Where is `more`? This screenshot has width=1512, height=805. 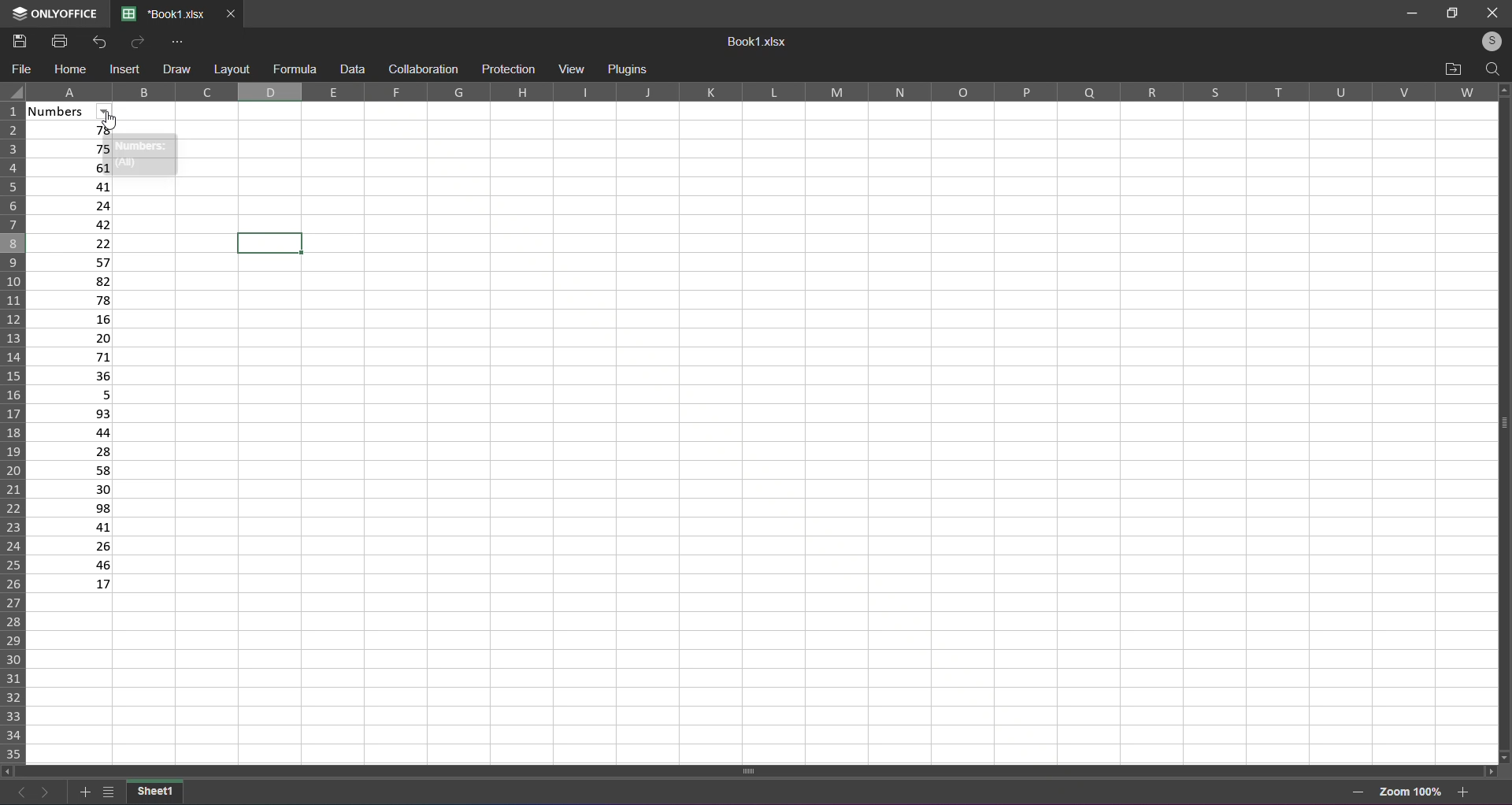 more is located at coordinates (179, 41).